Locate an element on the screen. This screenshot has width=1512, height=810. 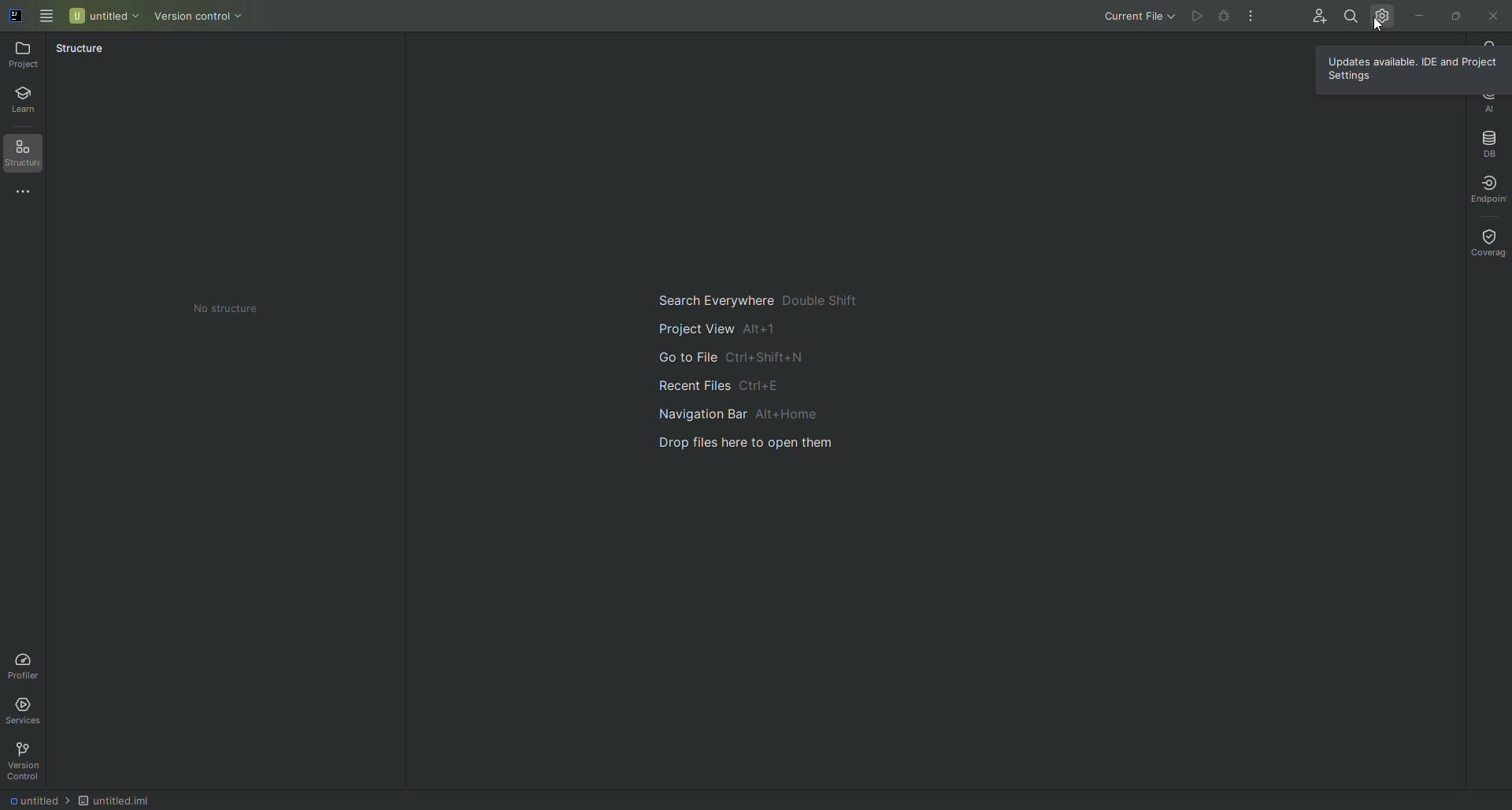
Recent Files  is located at coordinates (714, 384).